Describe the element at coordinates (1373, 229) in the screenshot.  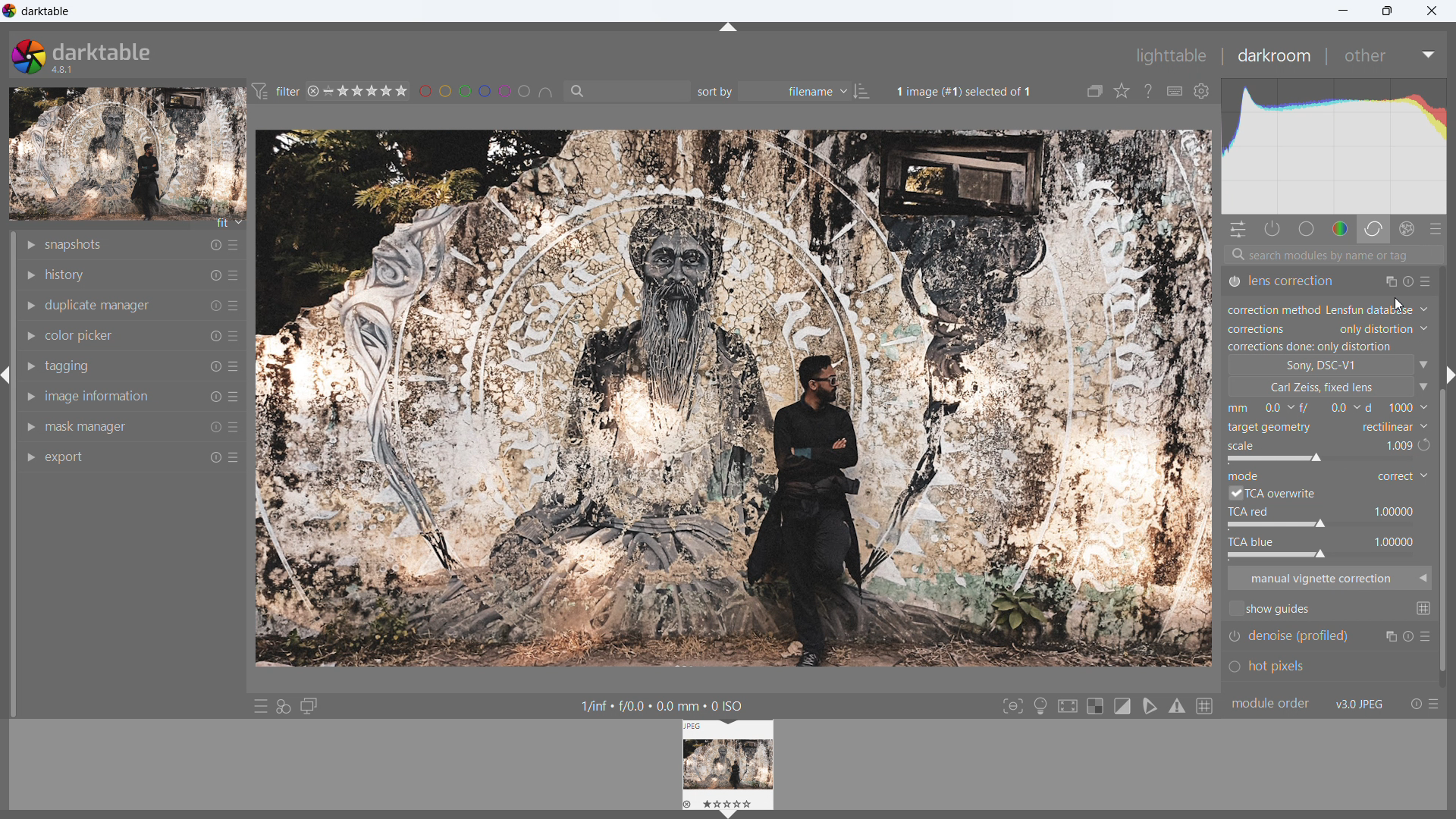
I see `correct` at that location.